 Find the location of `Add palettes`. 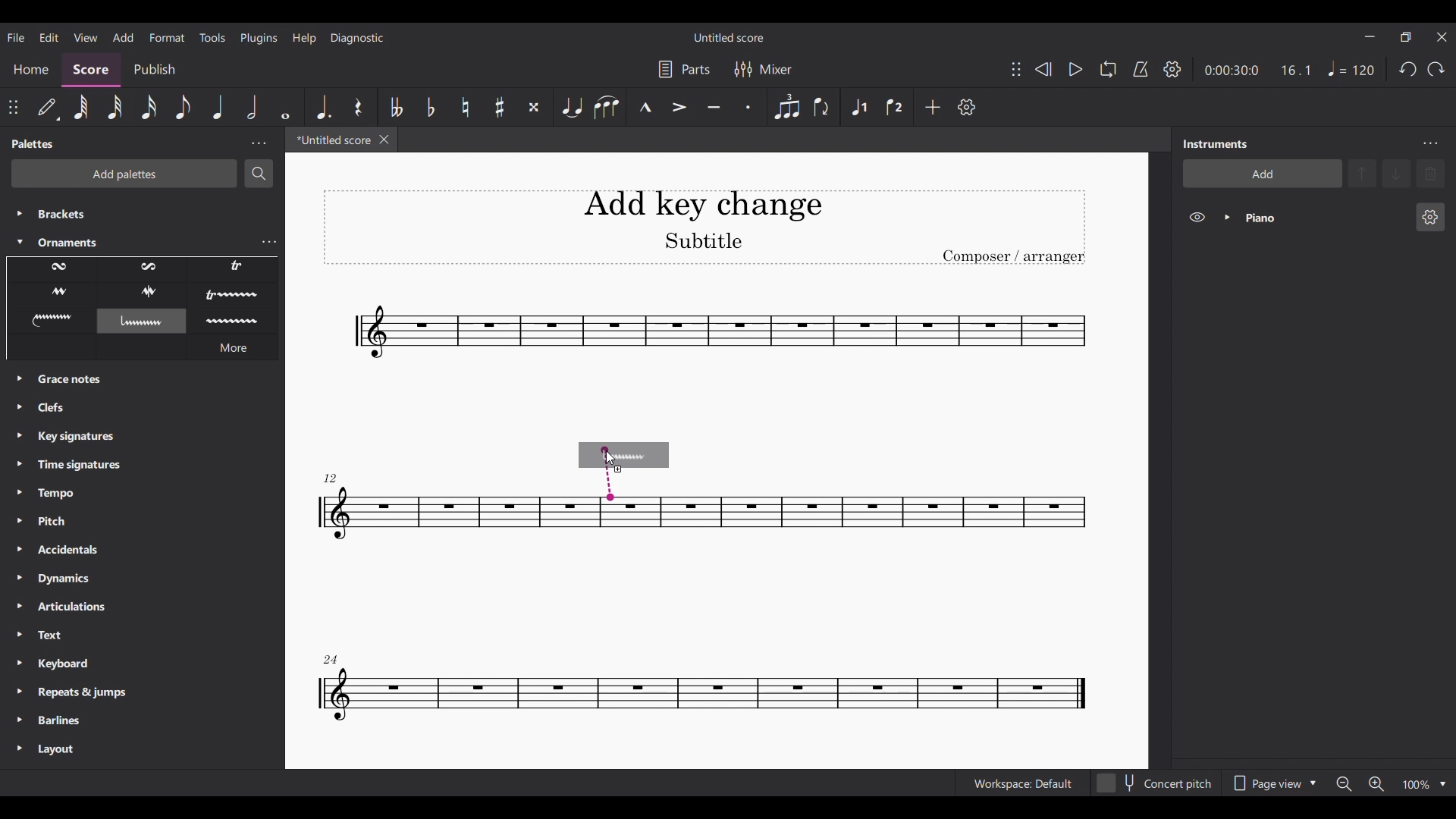

Add palettes is located at coordinates (124, 174).